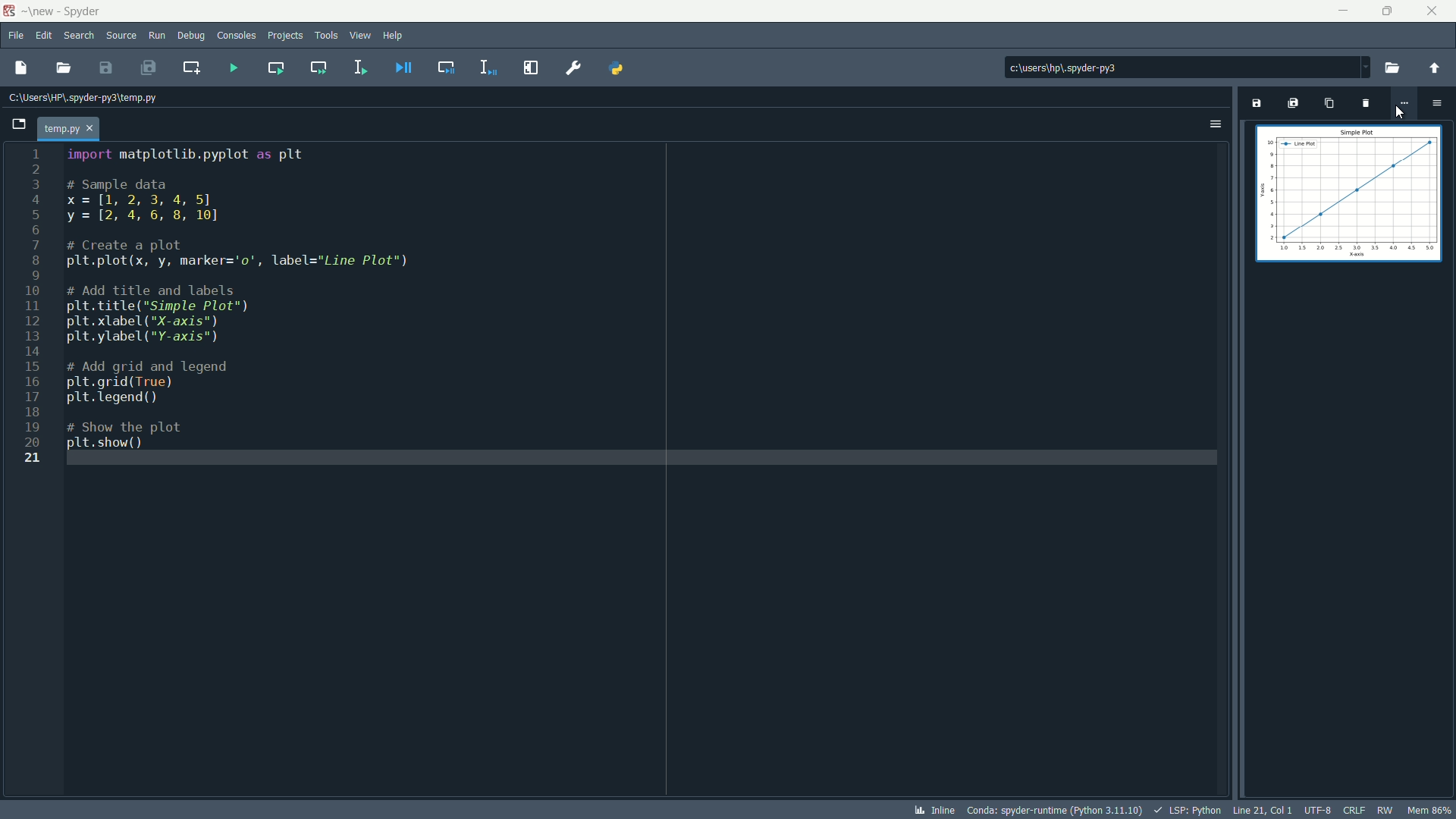 The height and width of the screenshot is (819, 1456). I want to click on minimize, so click(1339, 10).